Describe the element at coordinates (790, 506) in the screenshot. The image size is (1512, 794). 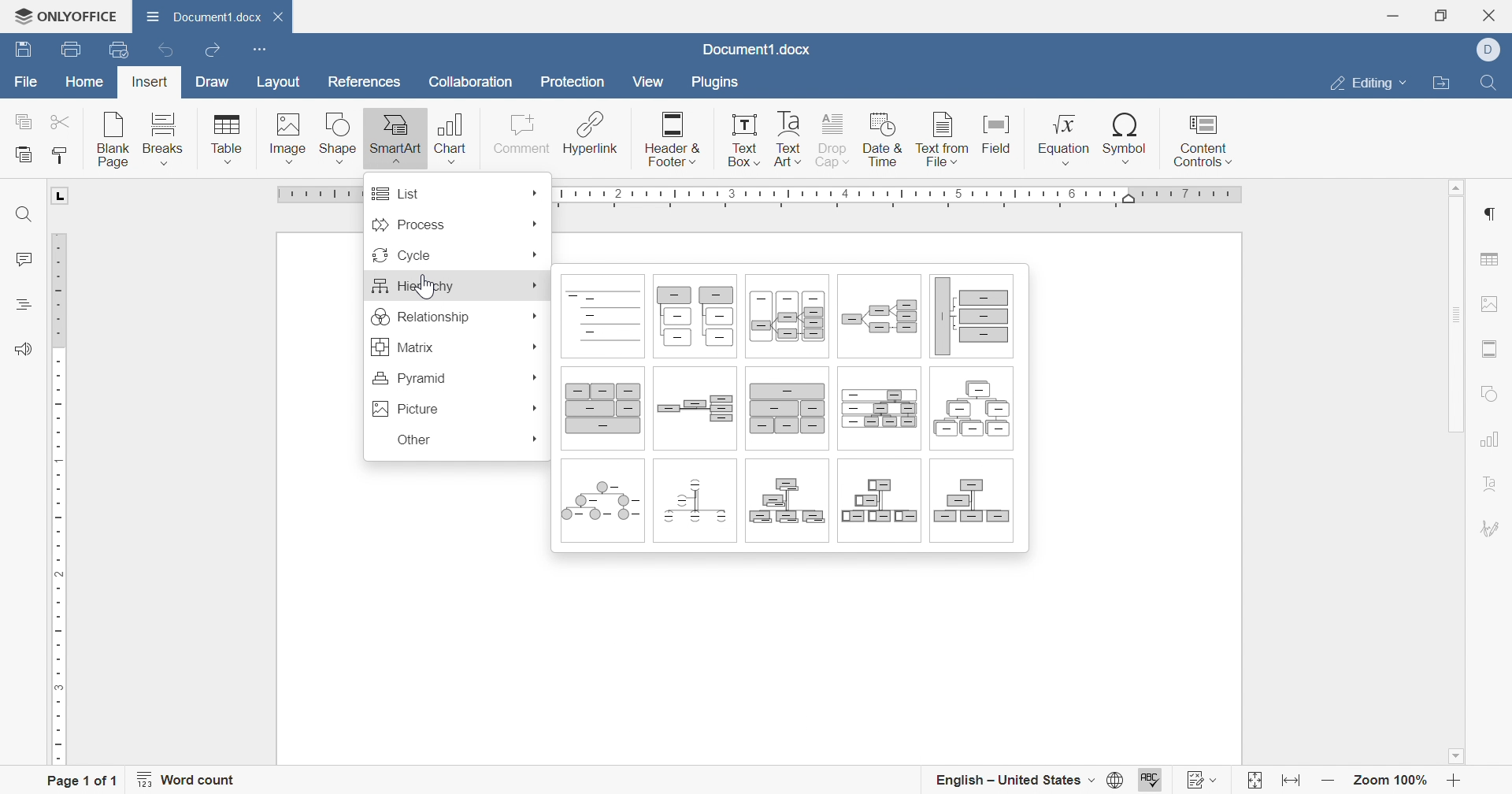
I see `Name and title organization chart` at that location.